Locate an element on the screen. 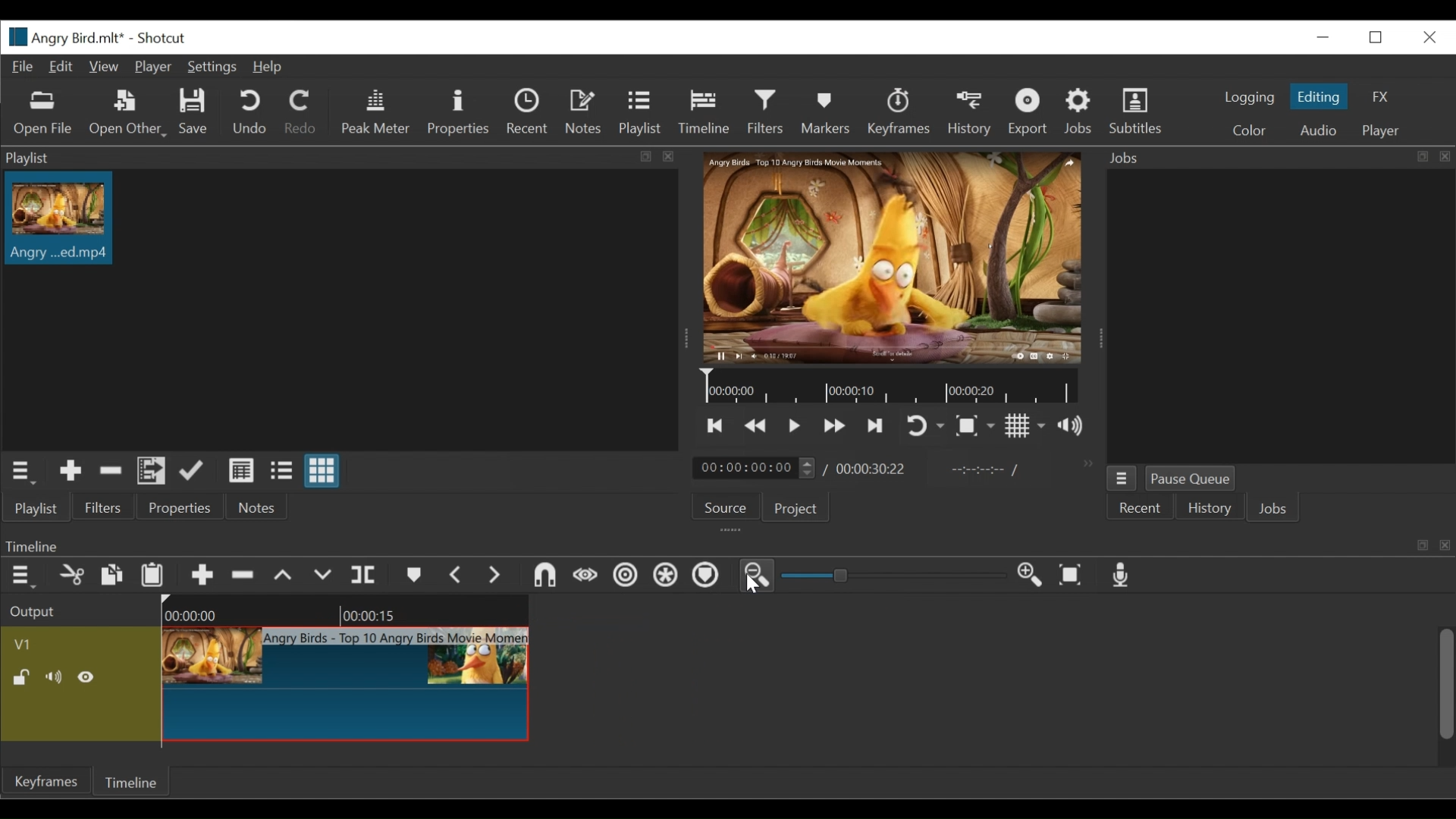 This screenshot has height=819, width=1456. Settings is located at coordinates (213, 67).